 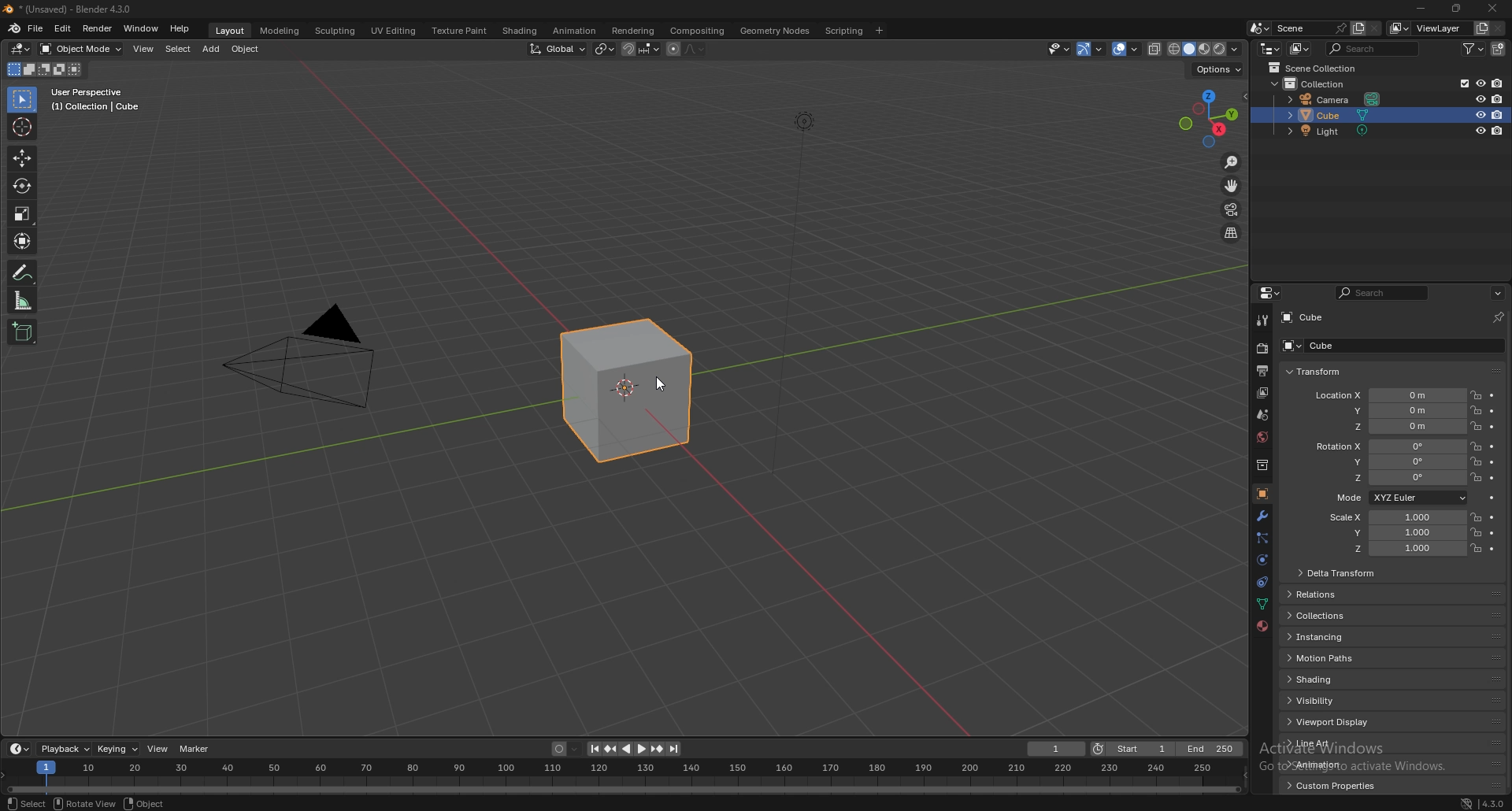 What do you see at coordinates (1232, 186) in the screenshot?
I see `move the view` at bounding box center [1232, 186].